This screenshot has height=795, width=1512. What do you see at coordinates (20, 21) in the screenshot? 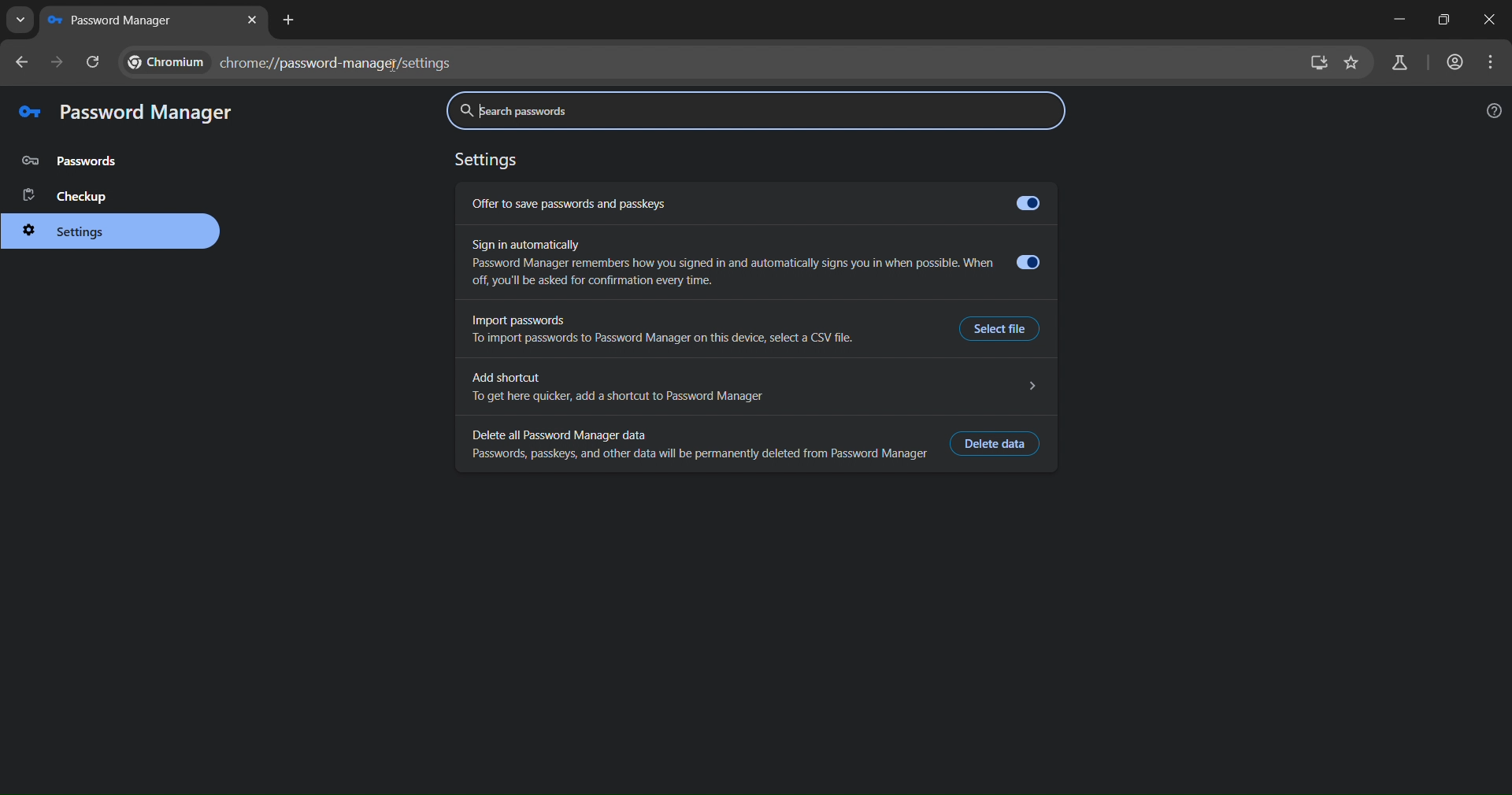
I see `search tabs` at bounding box center [20, 21].